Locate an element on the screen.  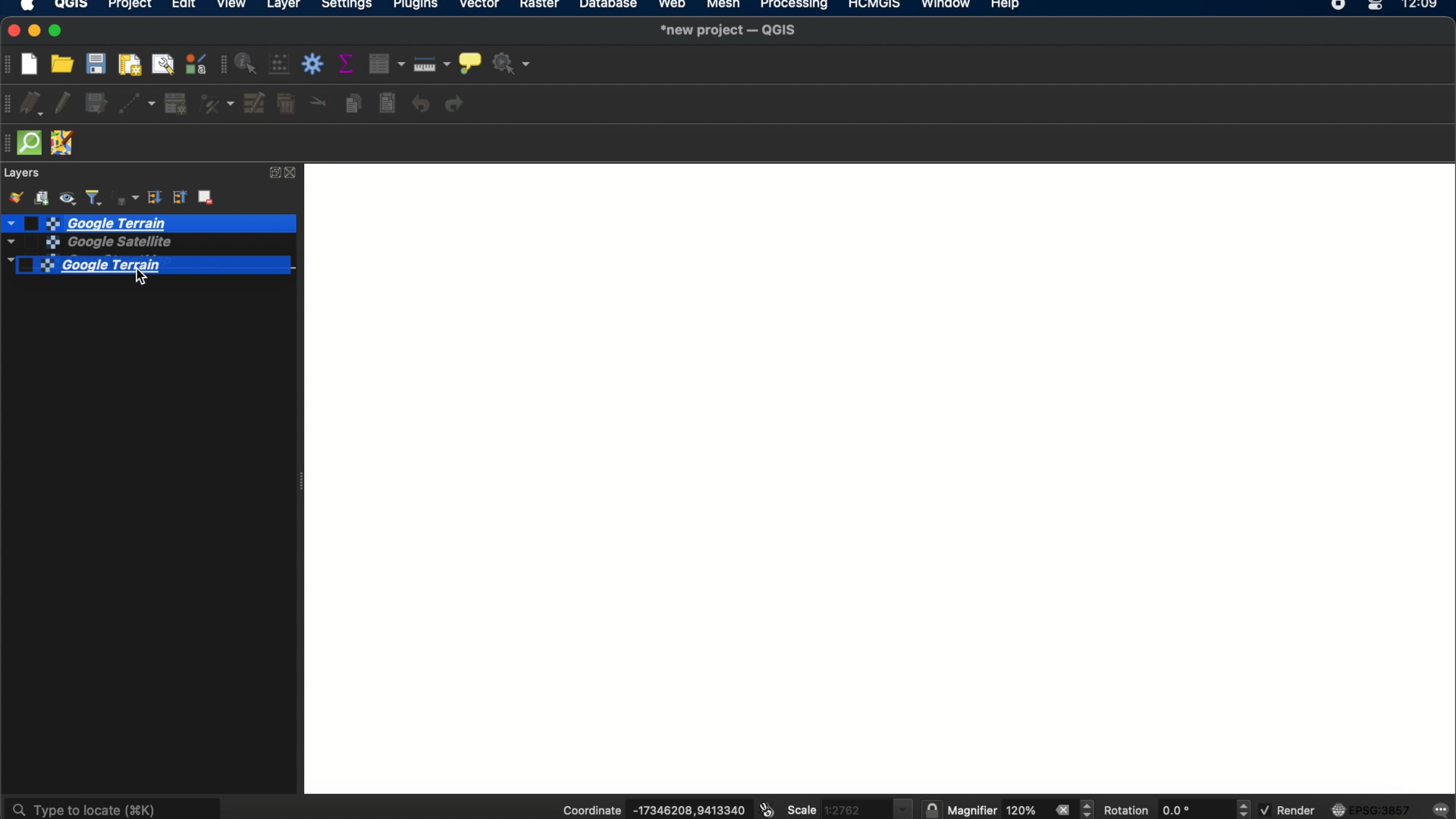
close is located at coordinates (11, 31).